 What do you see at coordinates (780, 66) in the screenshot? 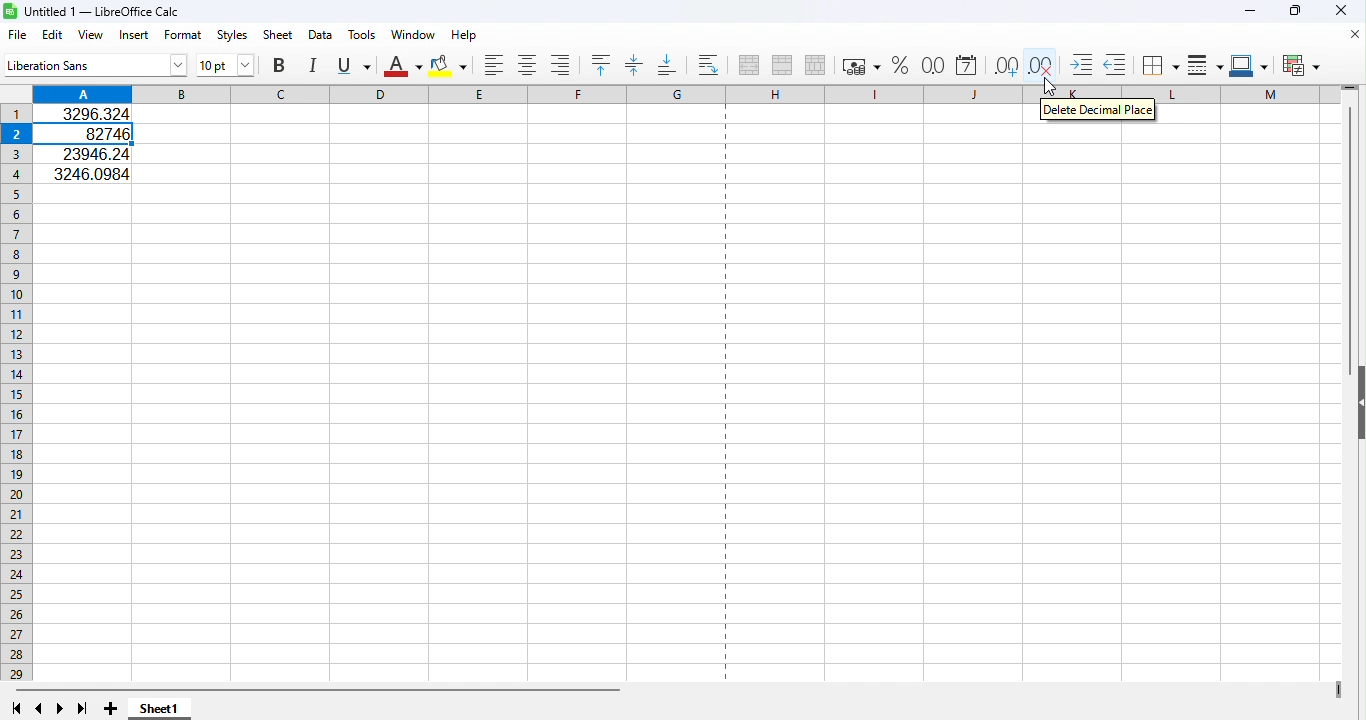
I see `Merge cells` at bounding box center [780, 66].